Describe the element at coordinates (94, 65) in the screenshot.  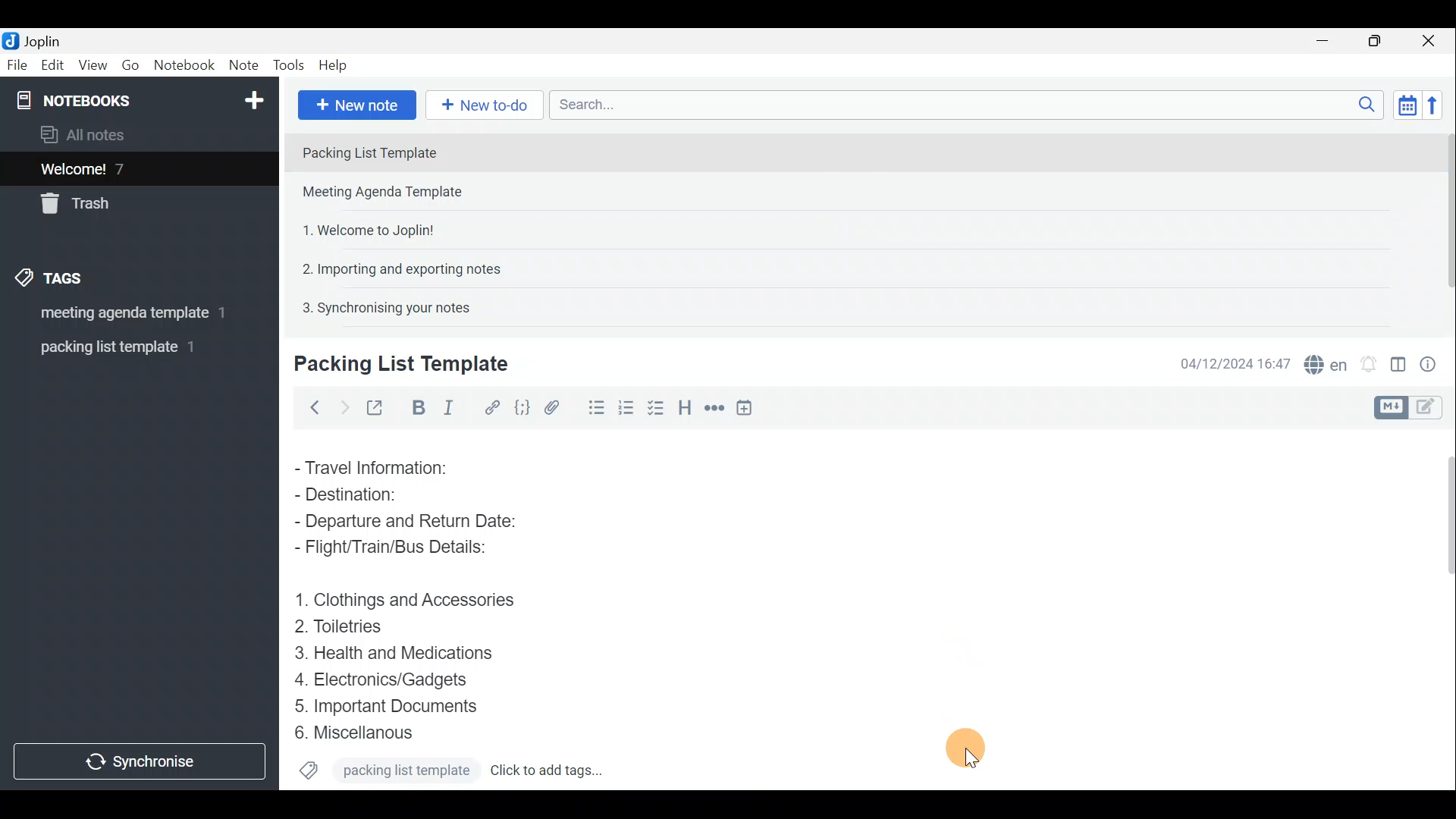
I see `View` at that location.